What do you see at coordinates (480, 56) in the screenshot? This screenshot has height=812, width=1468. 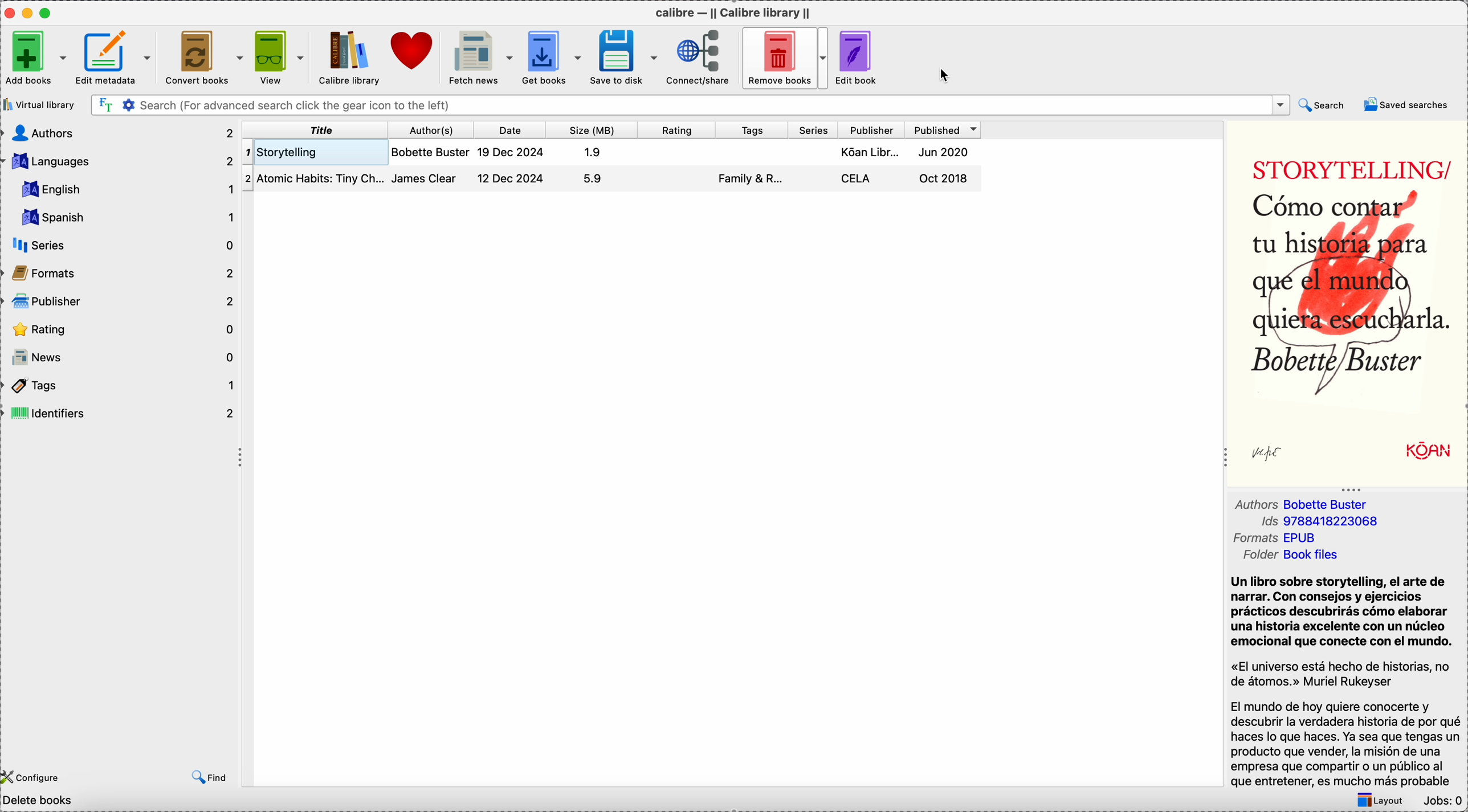 I see `fetch news` at bounding box center [480, 56].